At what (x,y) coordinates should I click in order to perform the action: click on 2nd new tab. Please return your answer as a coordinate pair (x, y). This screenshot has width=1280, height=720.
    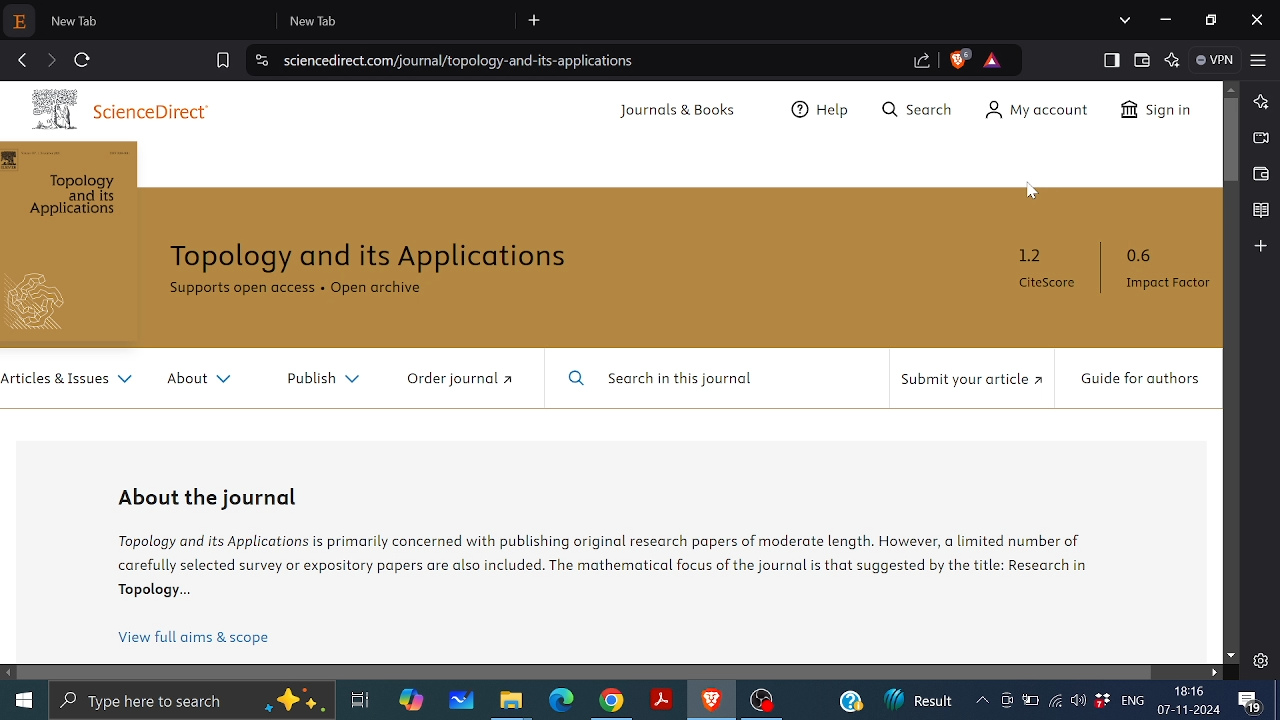
    Looking at the image, I should click on (401, 20).